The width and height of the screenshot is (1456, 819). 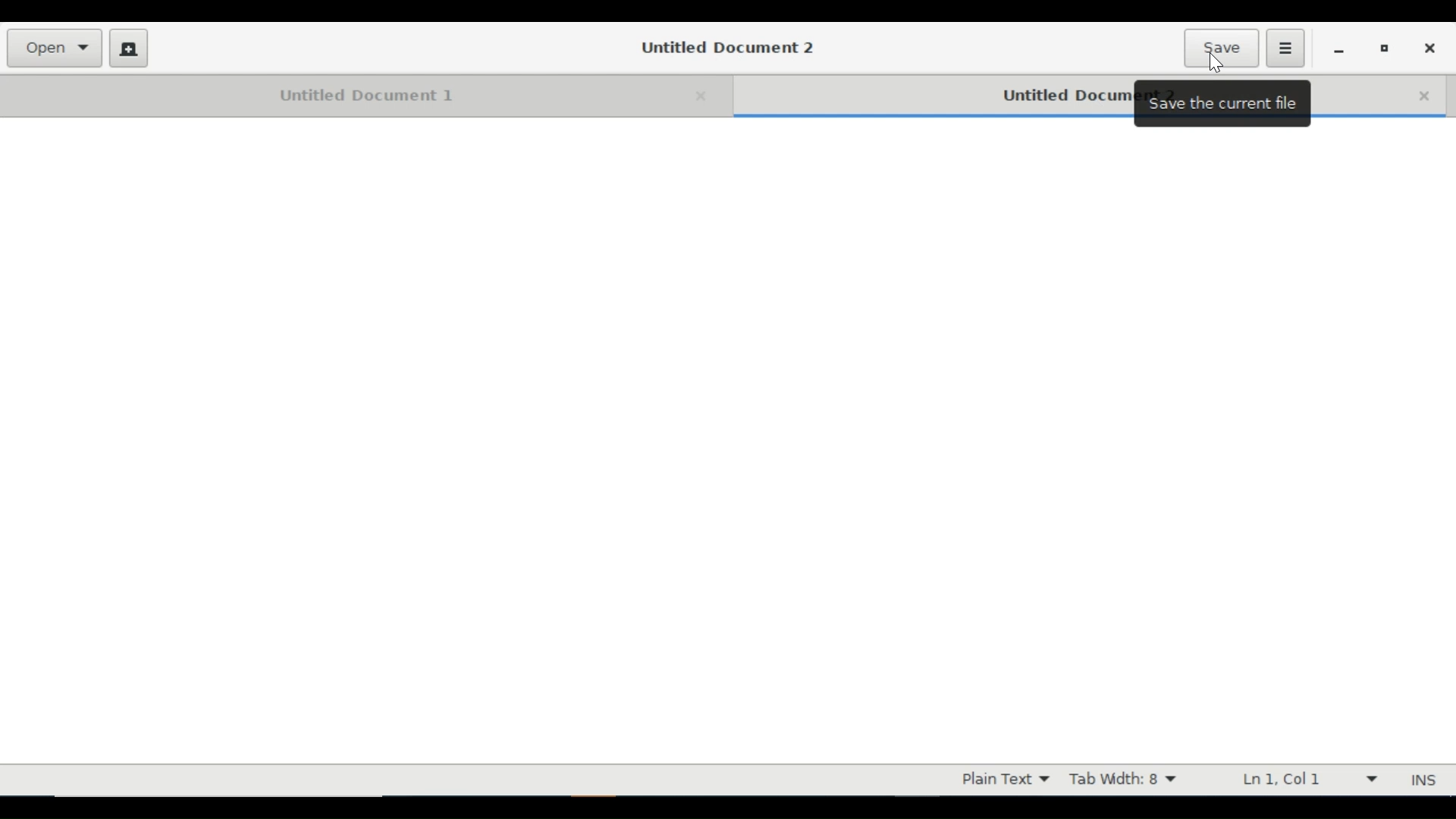 What do you see at coordinates (1004, 779) in the screenshot?
I see `Plain Text` at bounding box center [1004, 779].